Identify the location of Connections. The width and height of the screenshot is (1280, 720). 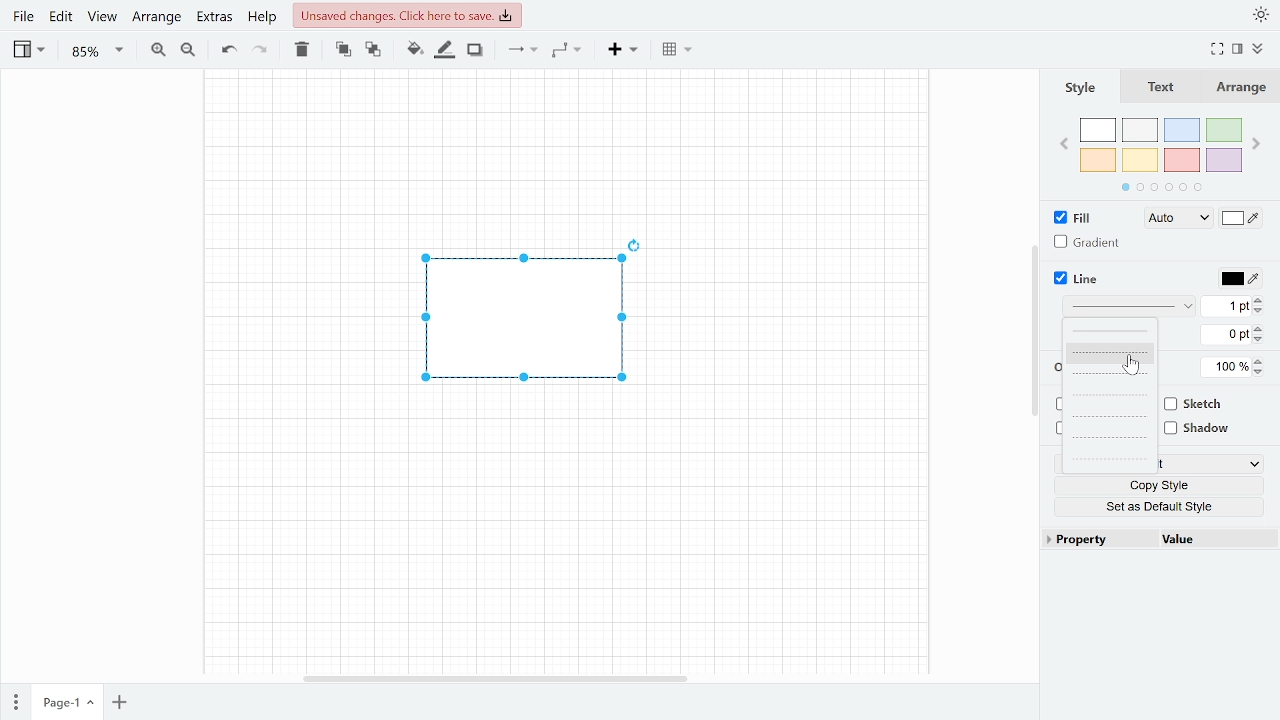
(523, 51).